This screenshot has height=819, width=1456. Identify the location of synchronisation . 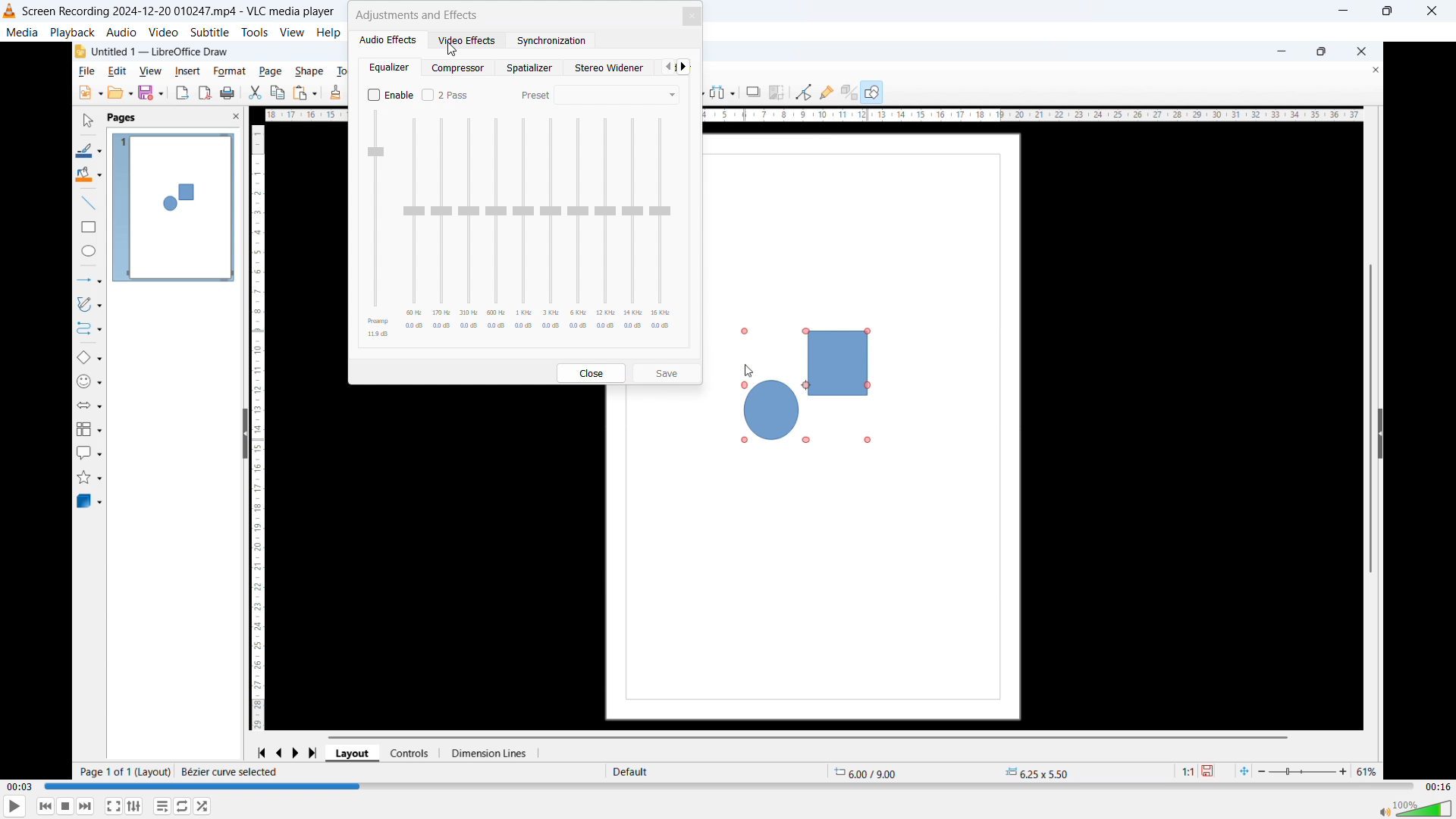
(549, 40).